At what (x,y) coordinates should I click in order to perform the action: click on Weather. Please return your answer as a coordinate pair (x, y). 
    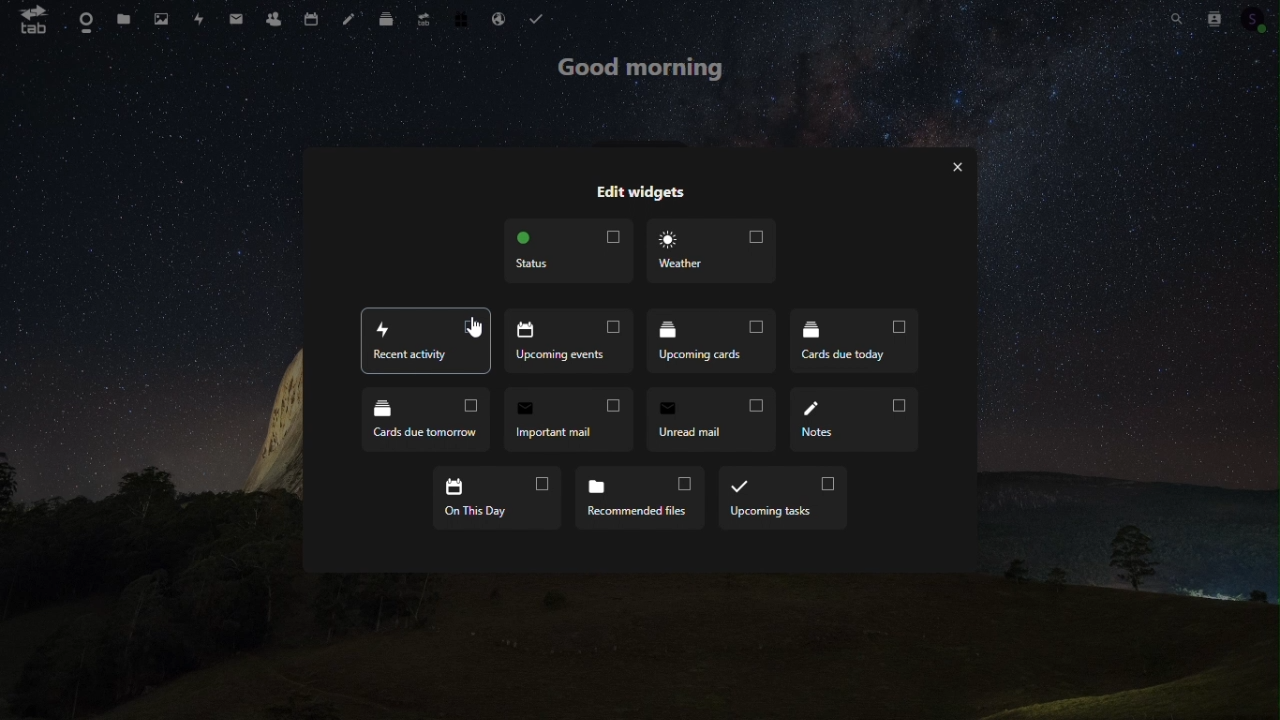
    Looking at the image, I should click on (710, 251).